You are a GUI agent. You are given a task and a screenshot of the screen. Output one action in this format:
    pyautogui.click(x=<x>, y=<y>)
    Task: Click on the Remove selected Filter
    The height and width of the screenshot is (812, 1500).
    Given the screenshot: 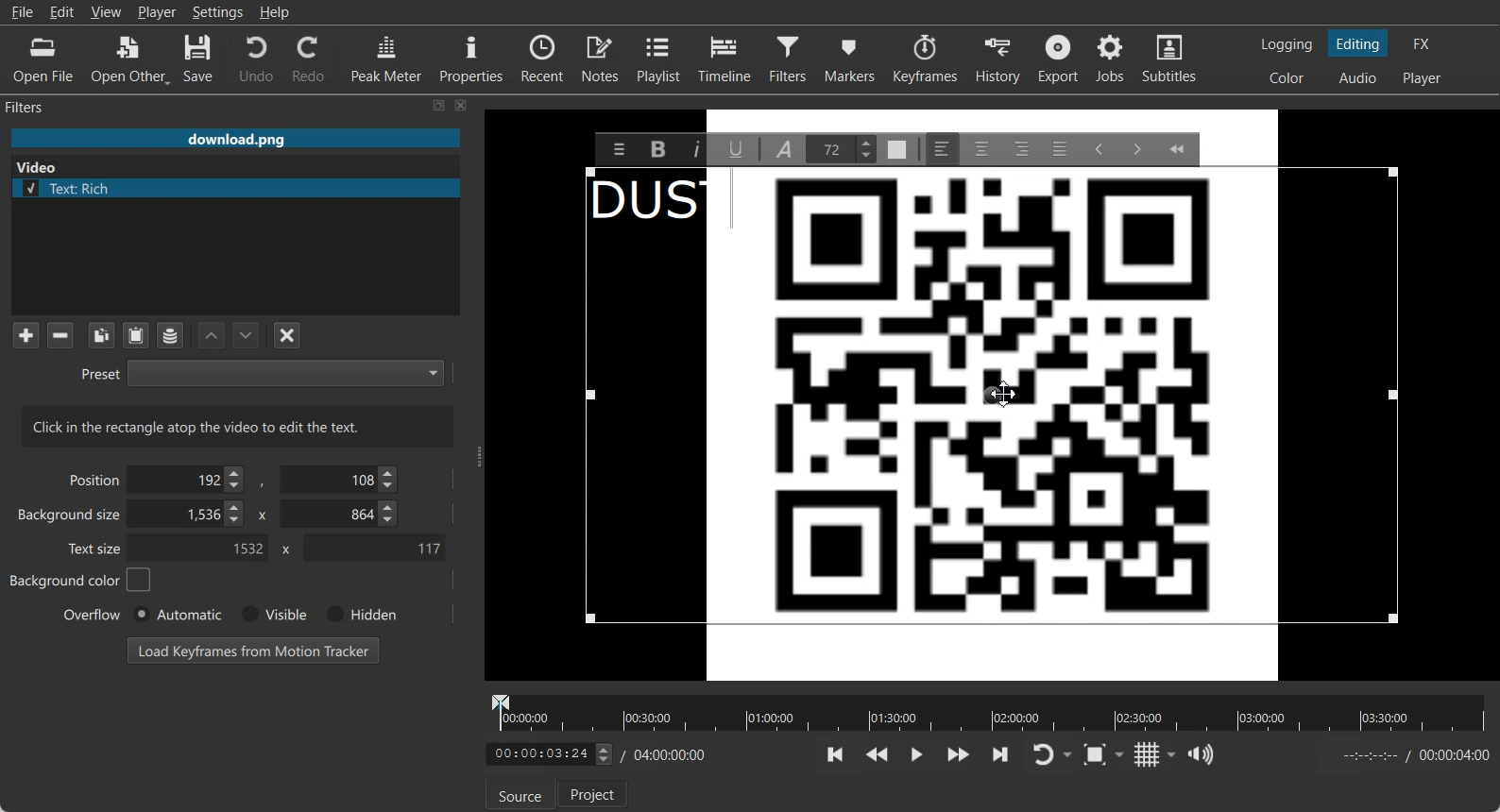 What is the action you would take?
    pyautogui.click(x=60, y=334)
    